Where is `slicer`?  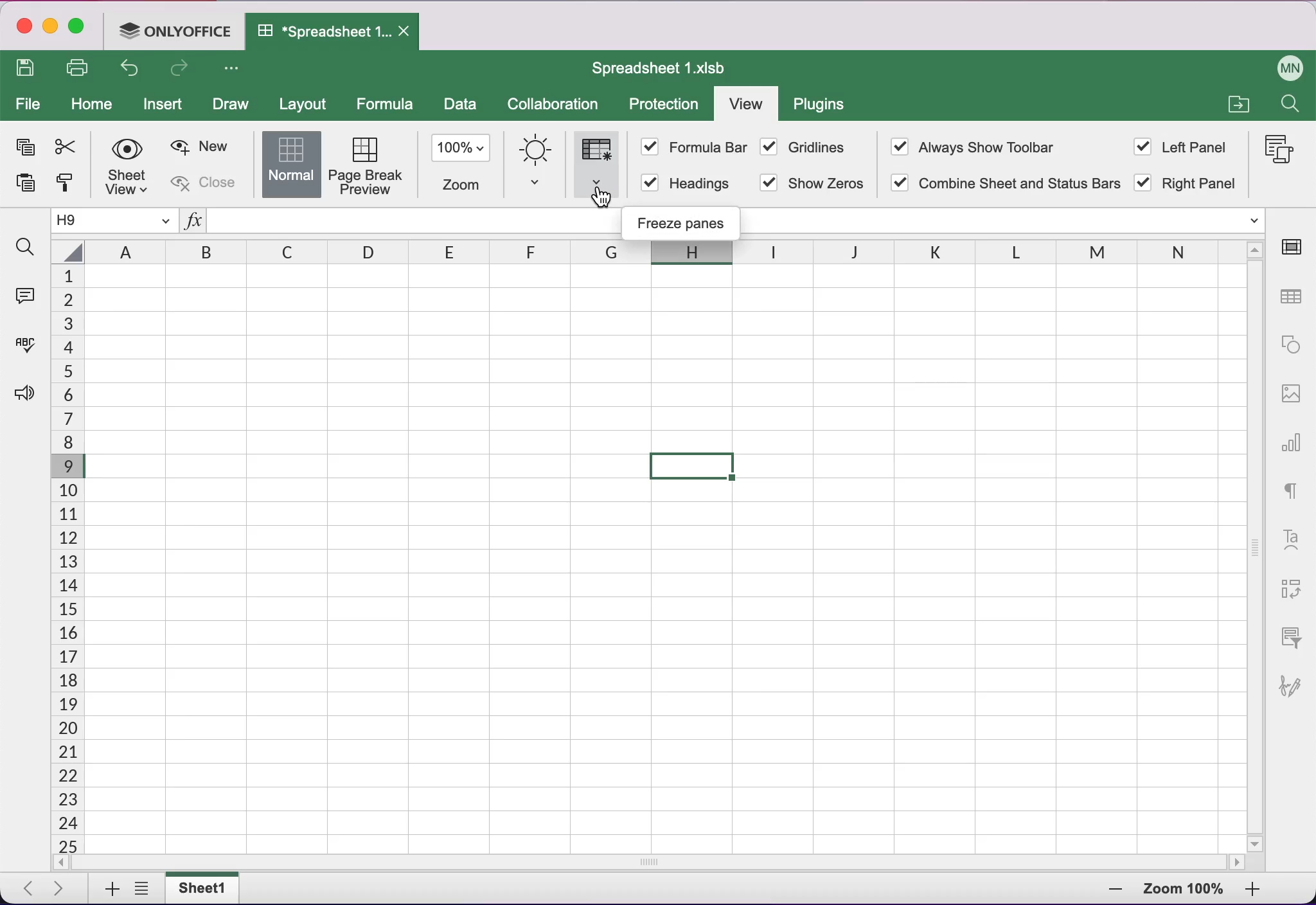 slicer is located at coordinates (1295, 634).